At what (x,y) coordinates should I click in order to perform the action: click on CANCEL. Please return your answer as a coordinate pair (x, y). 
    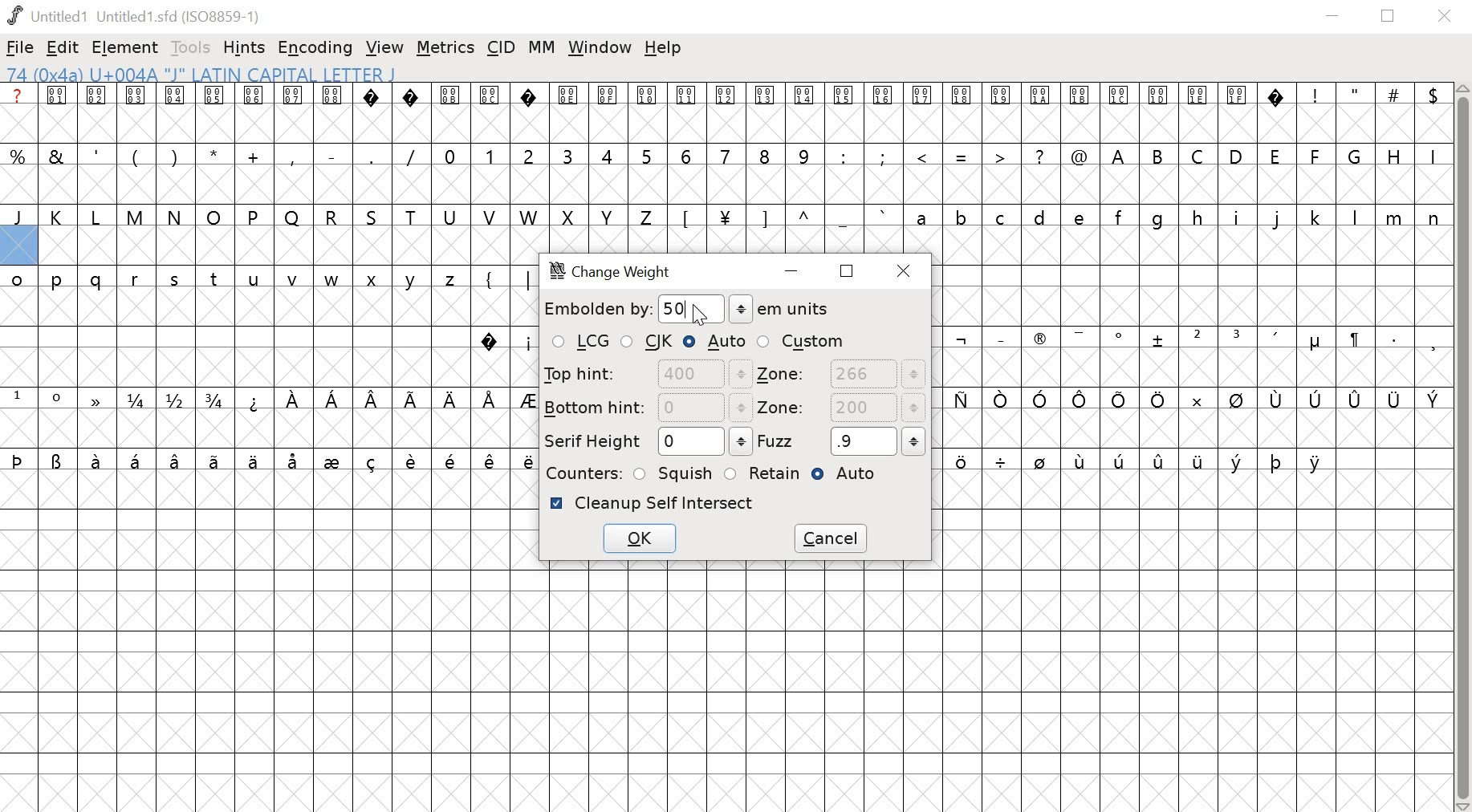
    Looking at the image, I should click on (833, 538).